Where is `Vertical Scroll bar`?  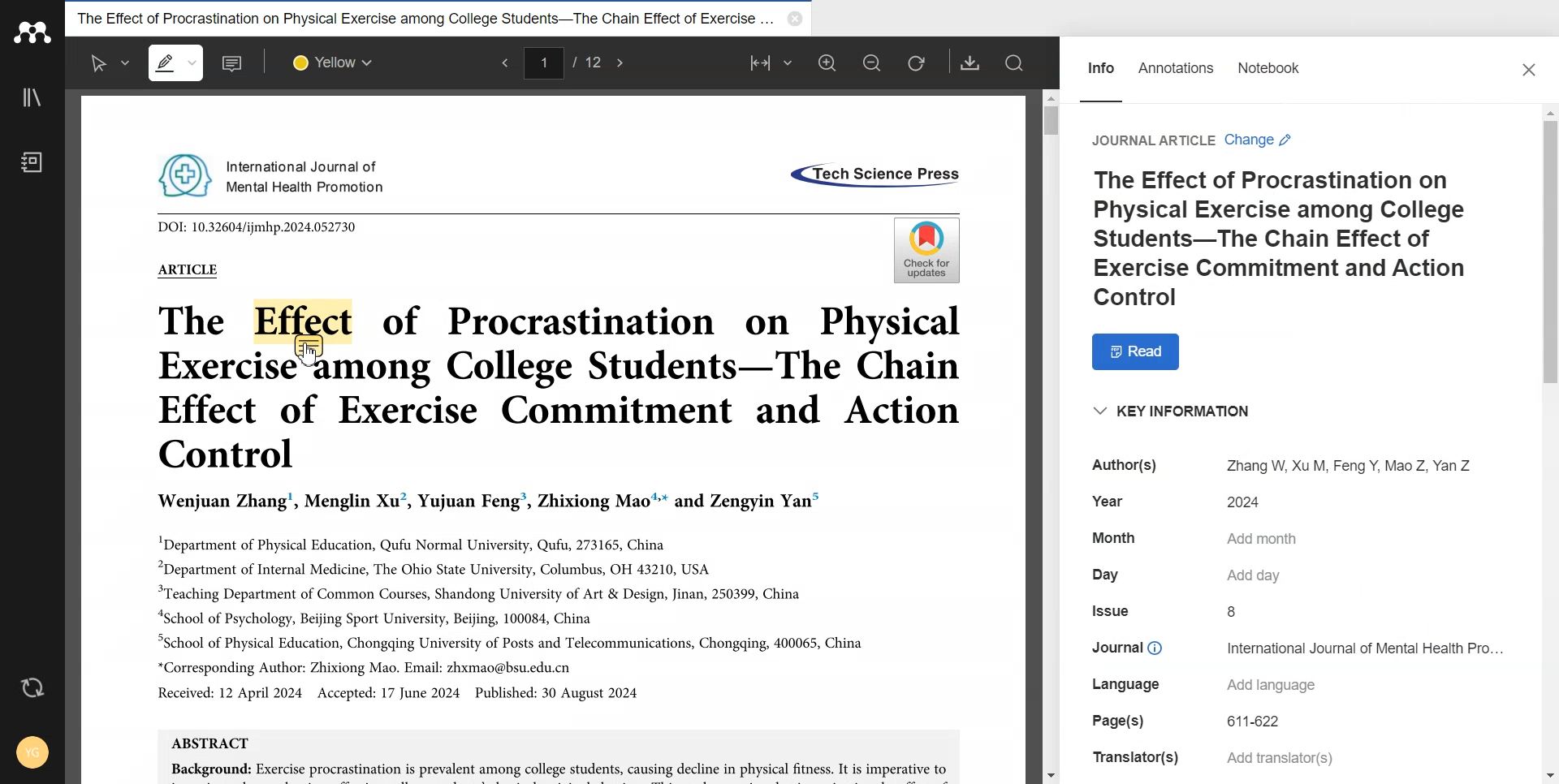 Vertical Scroll bar is located at coordinates (1051, 435).